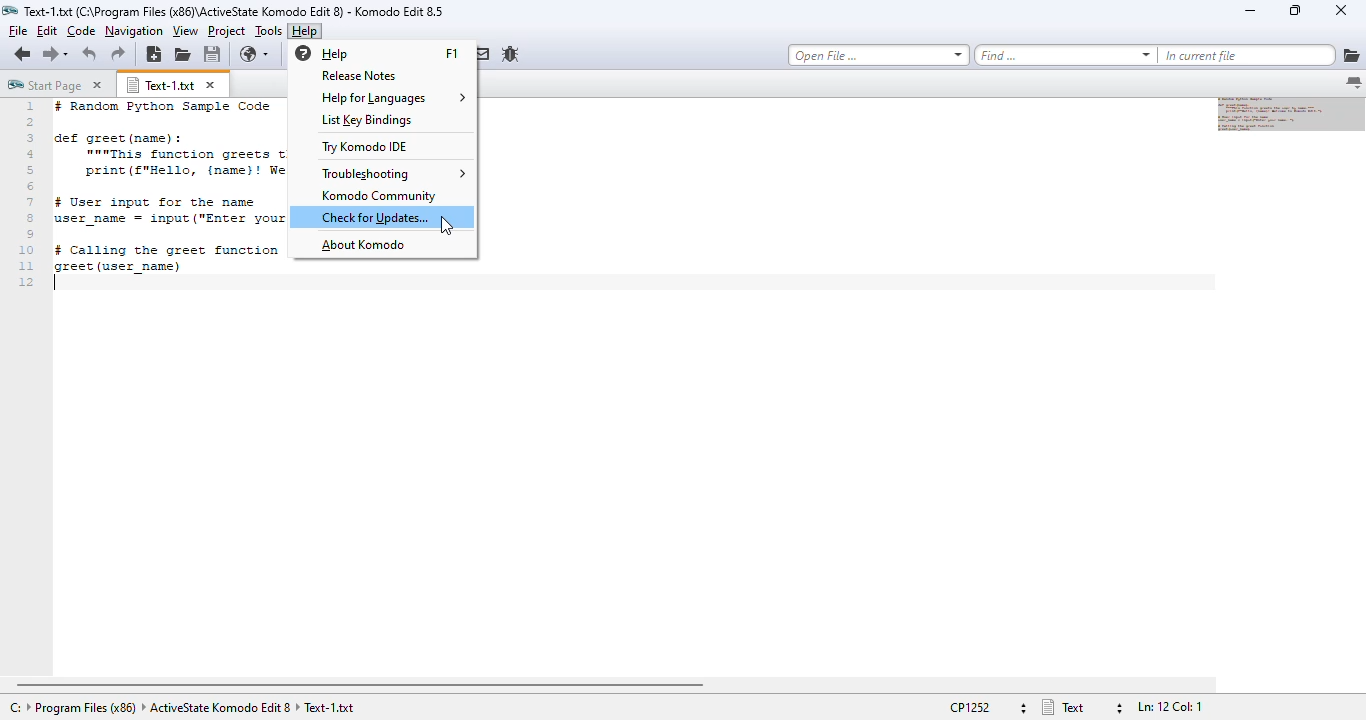 The height and width of the screenshot is (720, 1366). I want to click on cursor, so click(57, 284).